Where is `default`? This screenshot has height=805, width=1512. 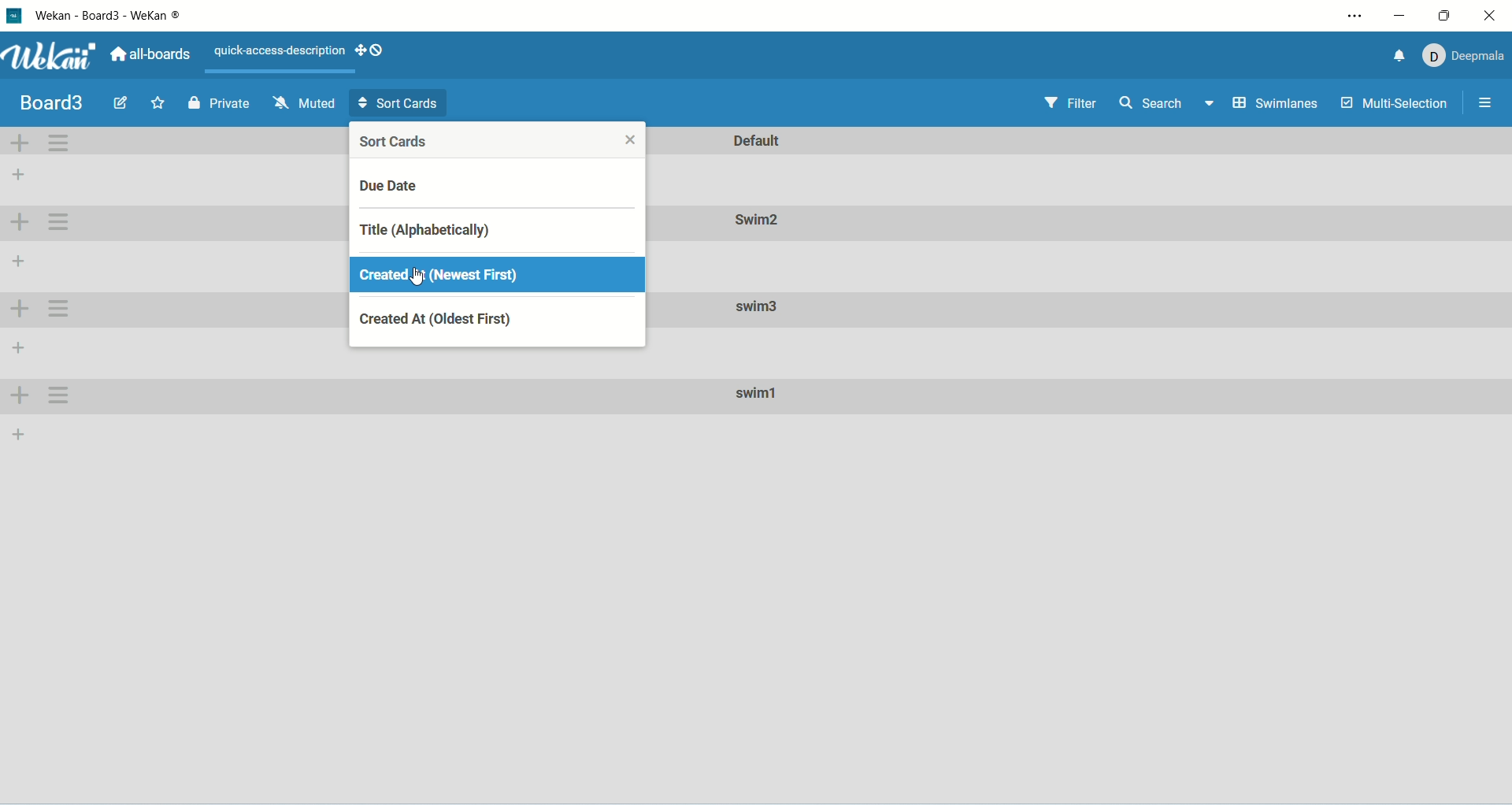 default is located at coordinates (760, 140).